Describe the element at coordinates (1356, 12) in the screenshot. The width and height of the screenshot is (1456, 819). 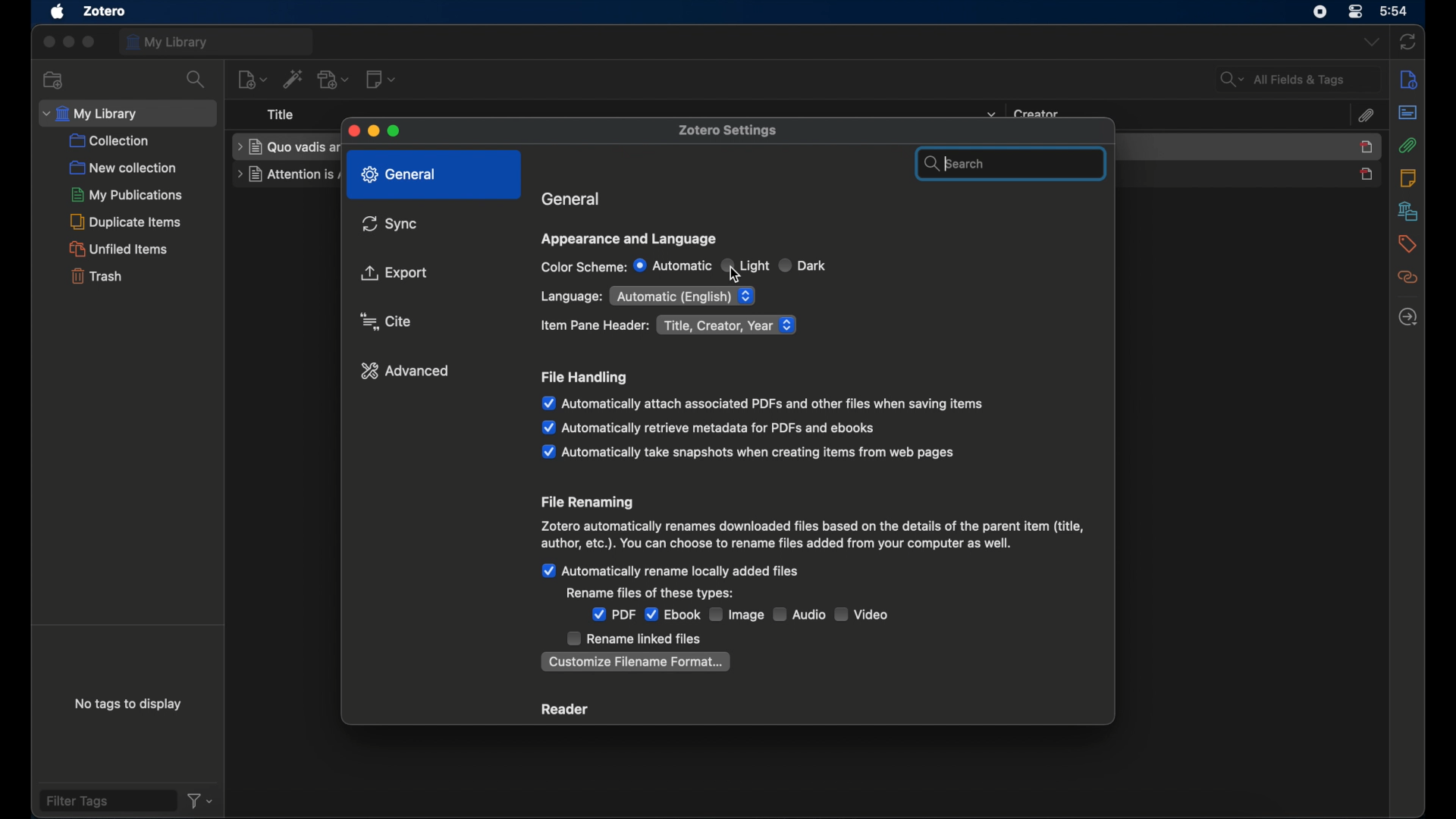
I see `control center` at that location.